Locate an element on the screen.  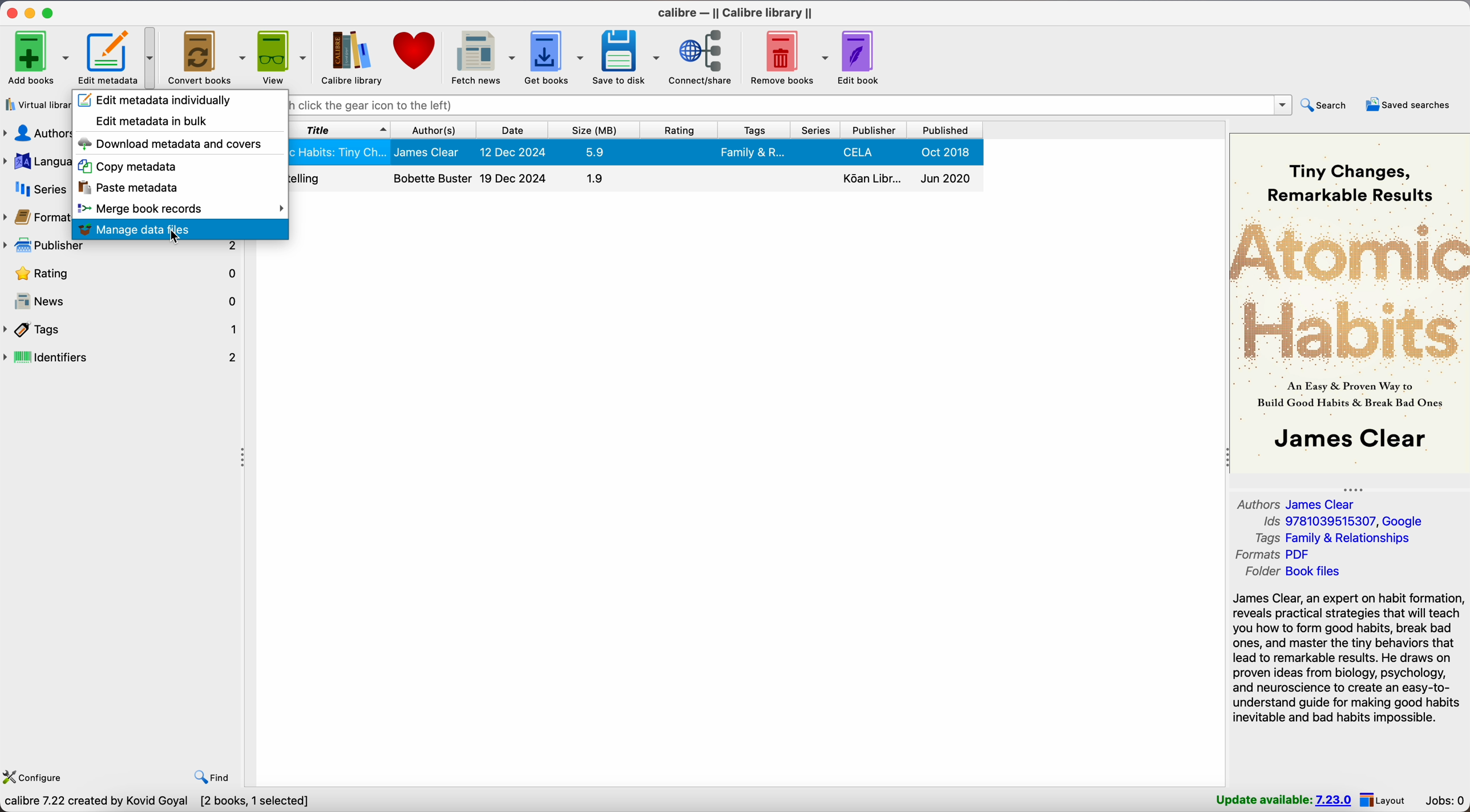
remove books is located at coordinates (788, 57).